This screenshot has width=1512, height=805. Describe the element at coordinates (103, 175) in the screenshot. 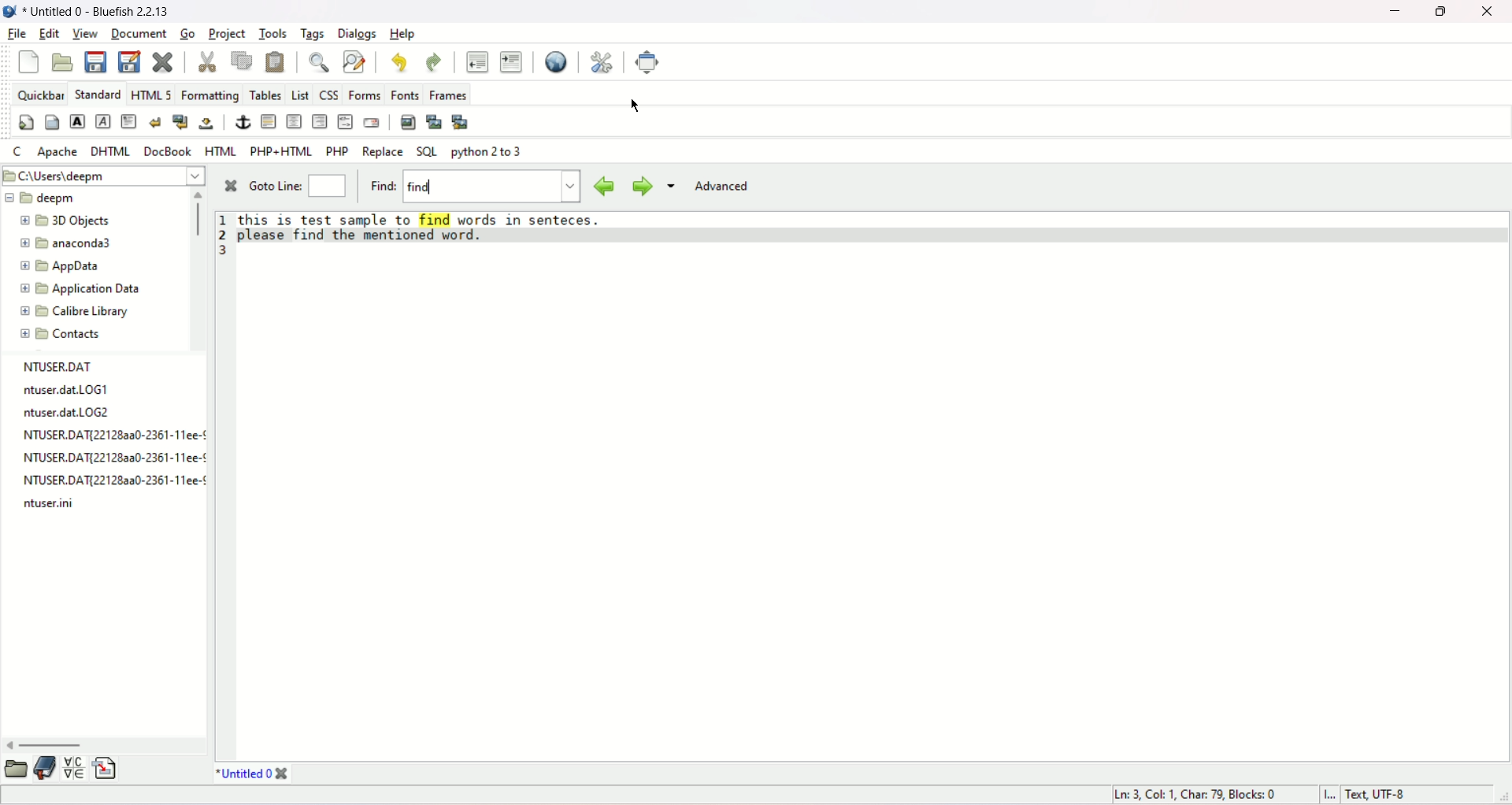

I see `c:\users\deepm` at that location.